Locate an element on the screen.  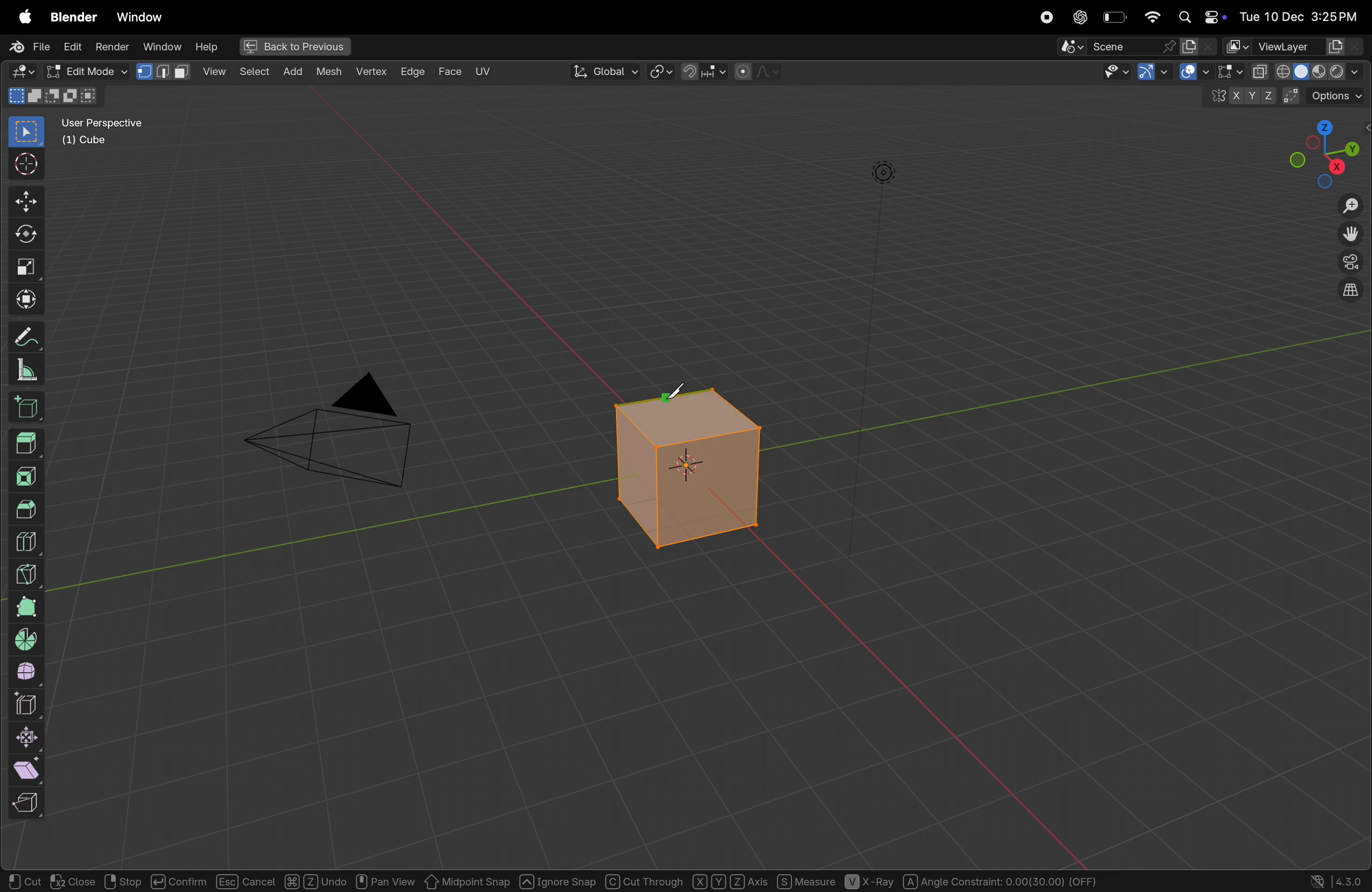
spin is located at coordinates (25, 640).